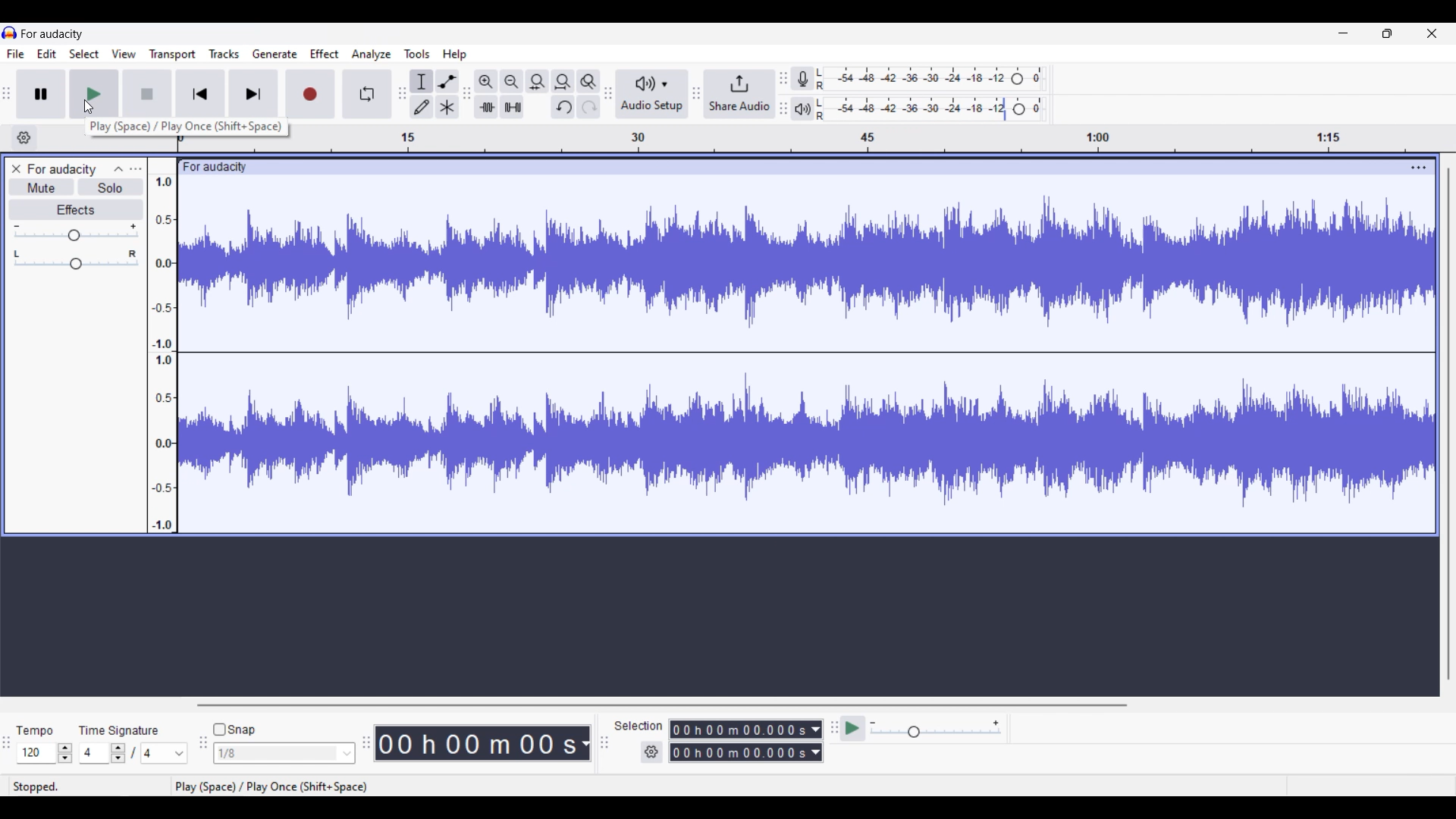 The width and height of the screenshot is (1456, 819). Describe the element at coordinates (537, 82) in the screenshot. I see `Fit selection to width` at that location.